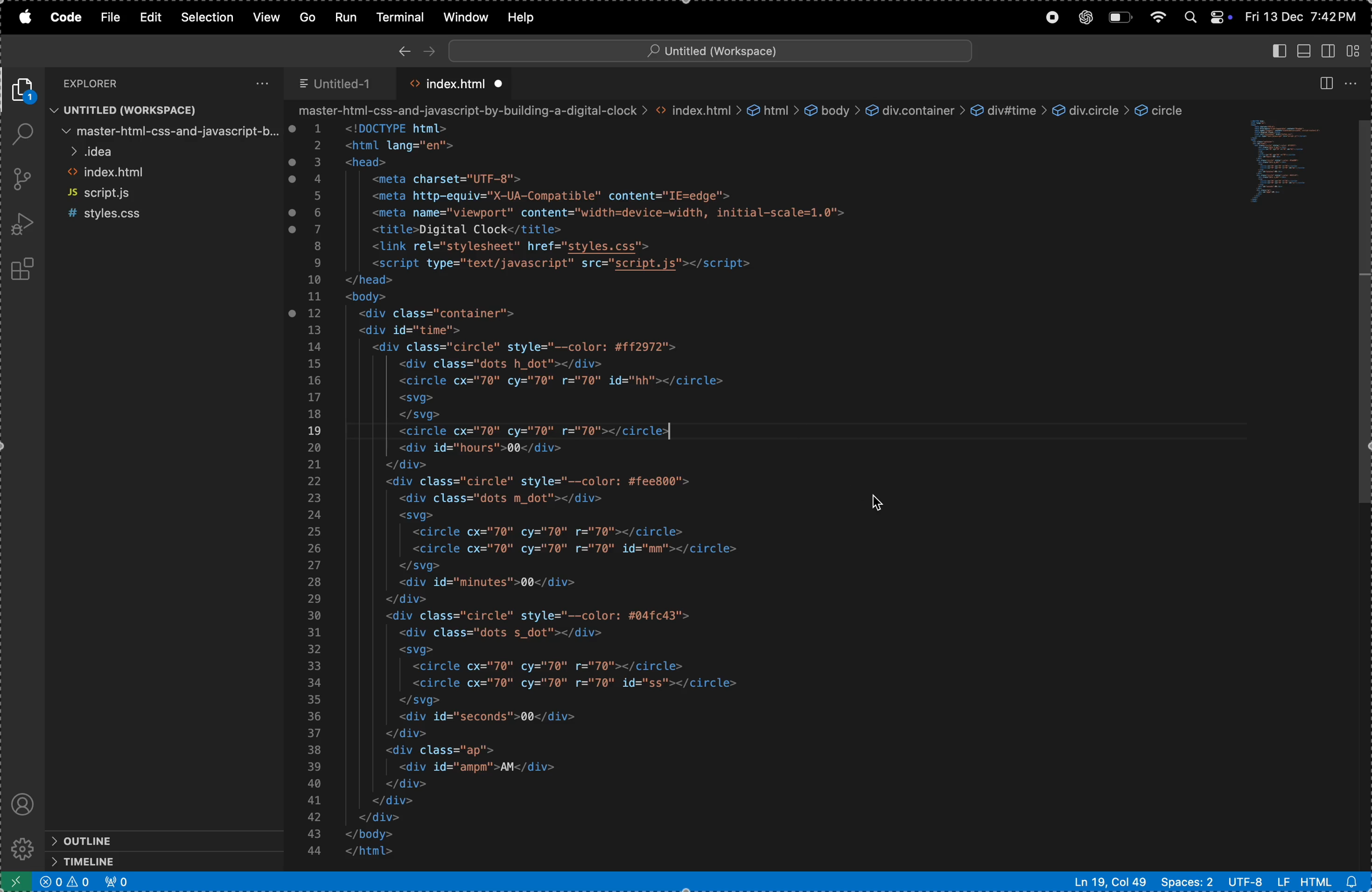 Image resolution: width=1372 pixels, height=892 pixels. I want to click on apple widgets, so click(1207, 14).